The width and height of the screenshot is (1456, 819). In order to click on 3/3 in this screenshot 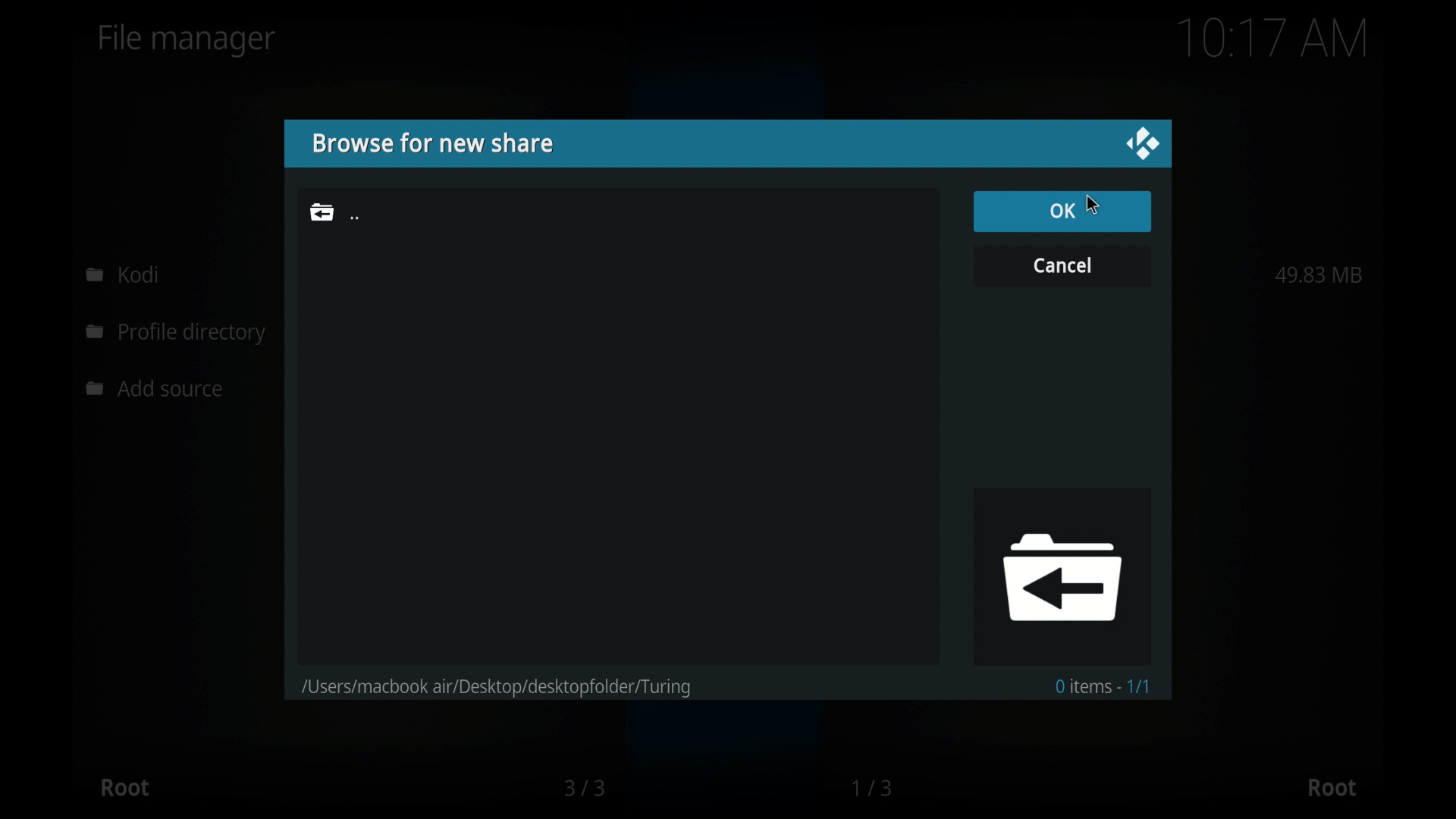, I will do `click(583, 788)`.